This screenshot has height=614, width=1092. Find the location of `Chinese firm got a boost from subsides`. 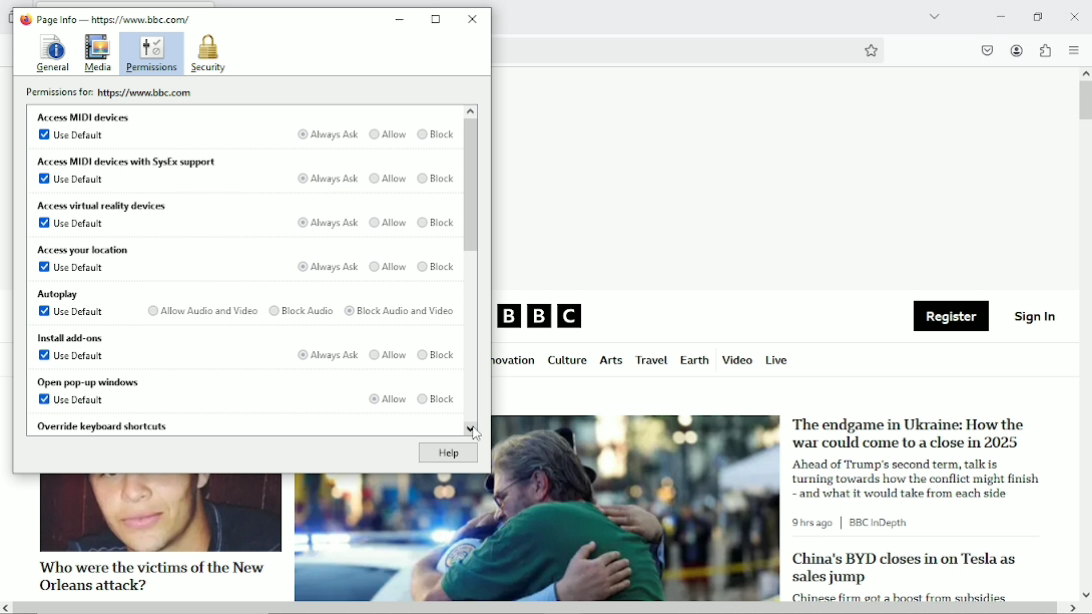

Chinese firm got a boost from subsides is located at coordinates (899, 595).